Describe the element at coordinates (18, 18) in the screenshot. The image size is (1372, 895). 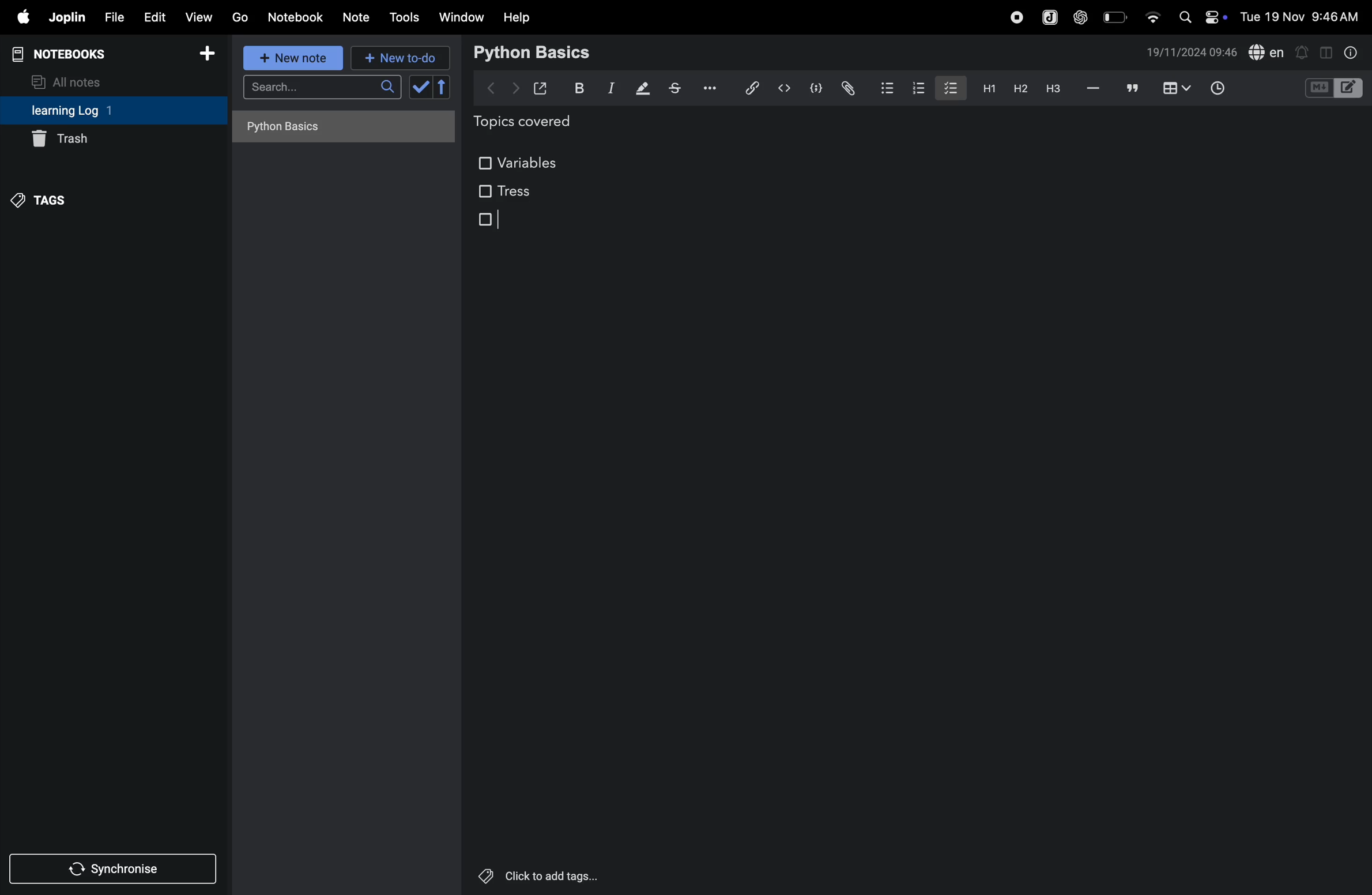
I see `apple menu` at that location.